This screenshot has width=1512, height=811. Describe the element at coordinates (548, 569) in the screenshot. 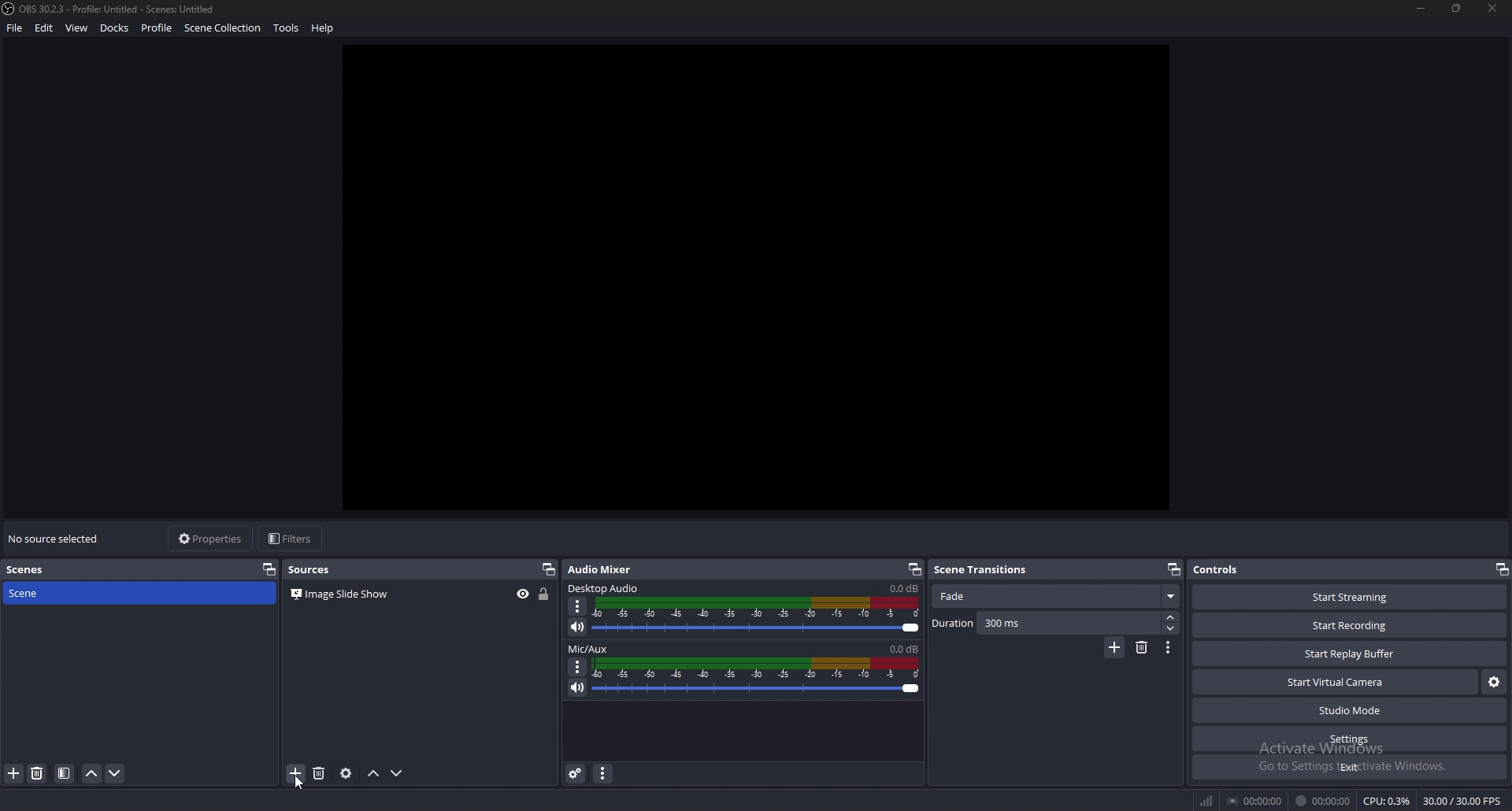

I see `pop out` at that location.